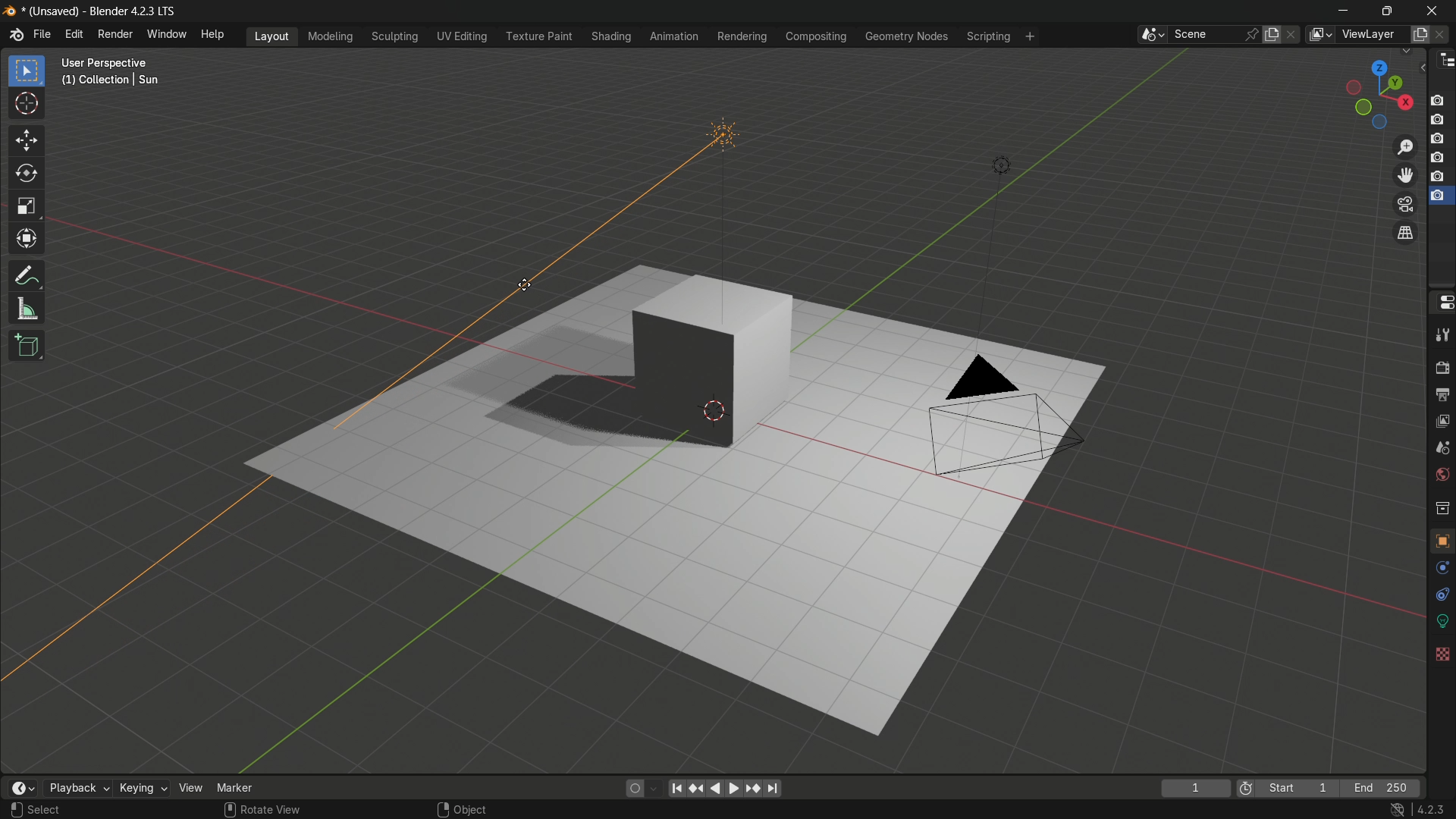 Image resolution: width=1456 pixels, height=819 pixels. Describe the element at coordinates (42, 34) in the screenshot. I see `file menu` at that location.